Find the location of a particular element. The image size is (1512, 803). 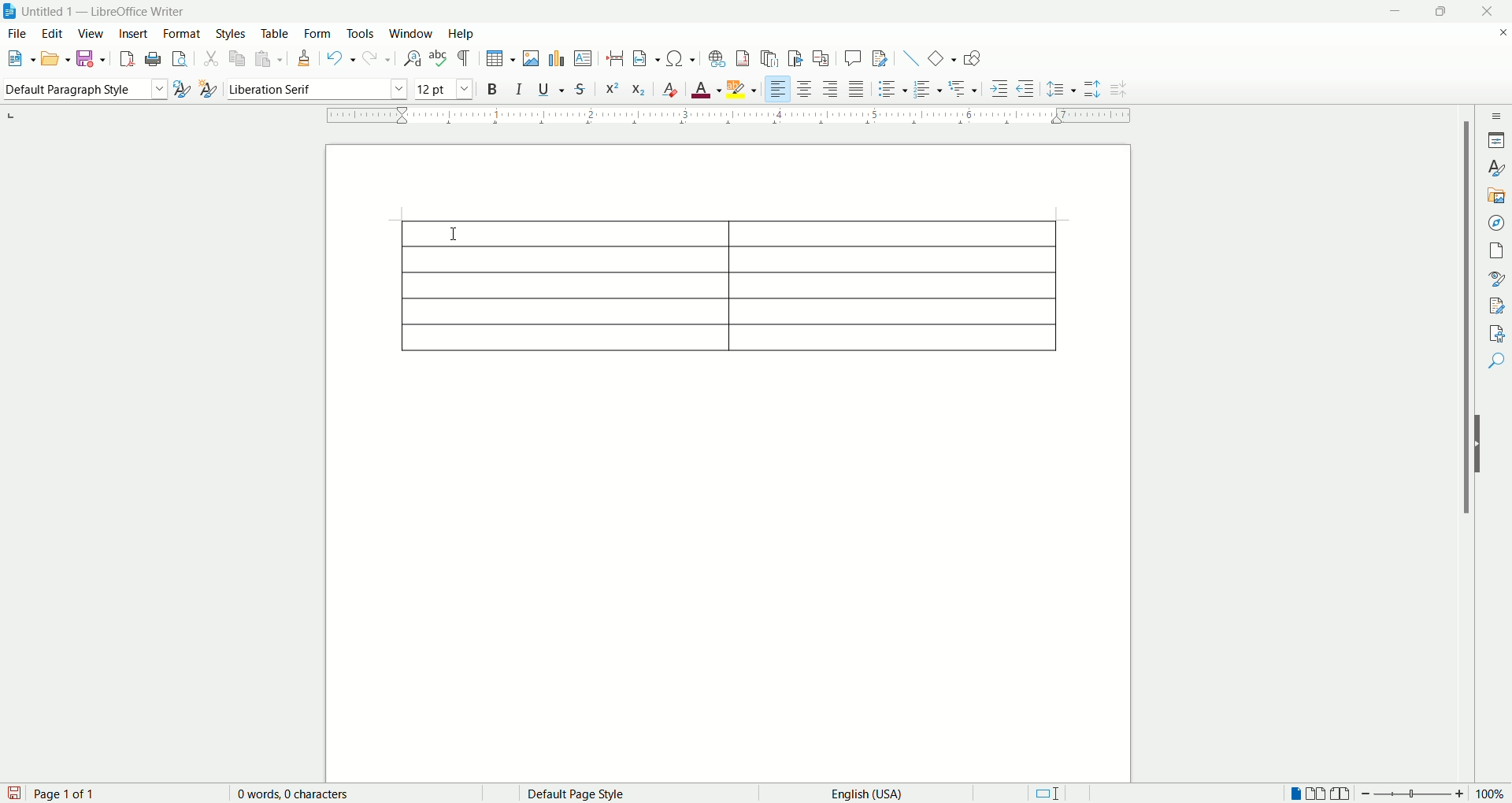

format is located at coordinates (182, 33).